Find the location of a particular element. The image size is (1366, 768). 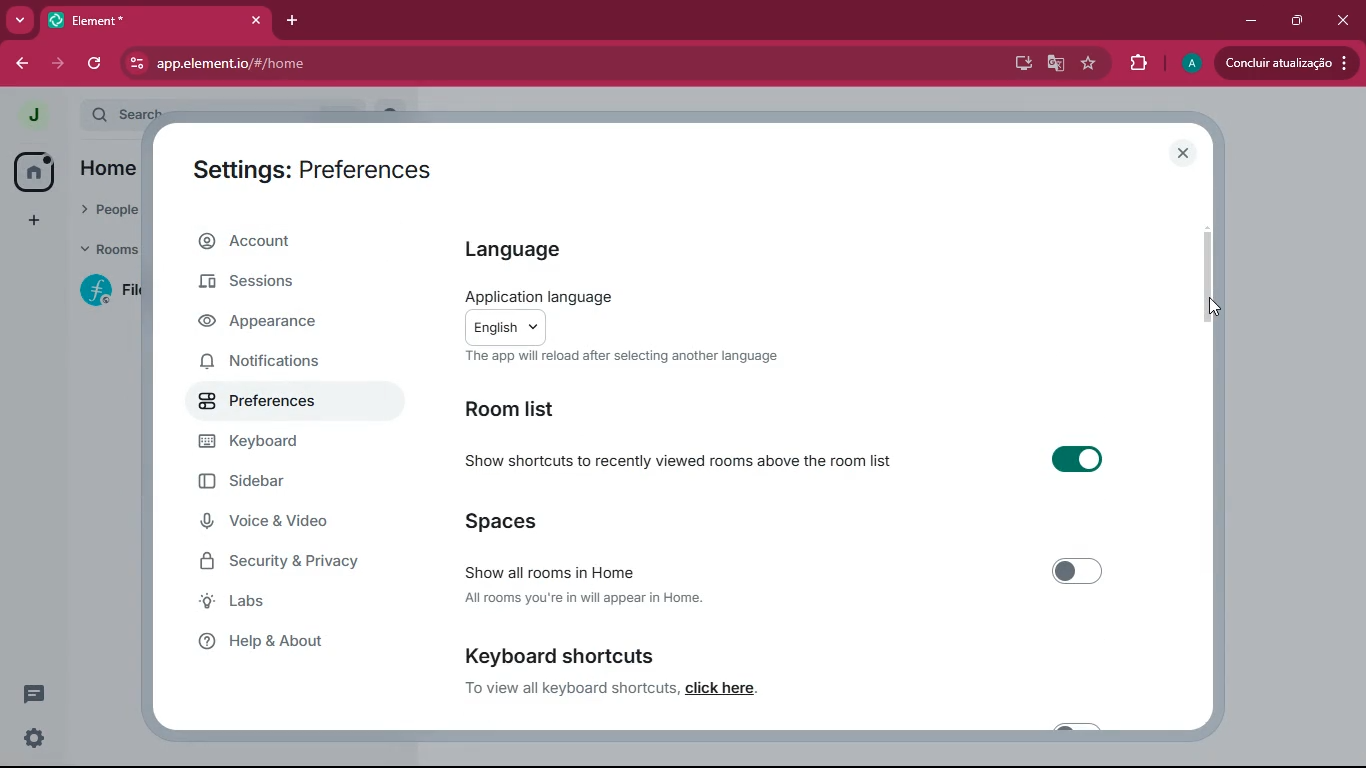

google translate is located at coordinates (1056, 64).